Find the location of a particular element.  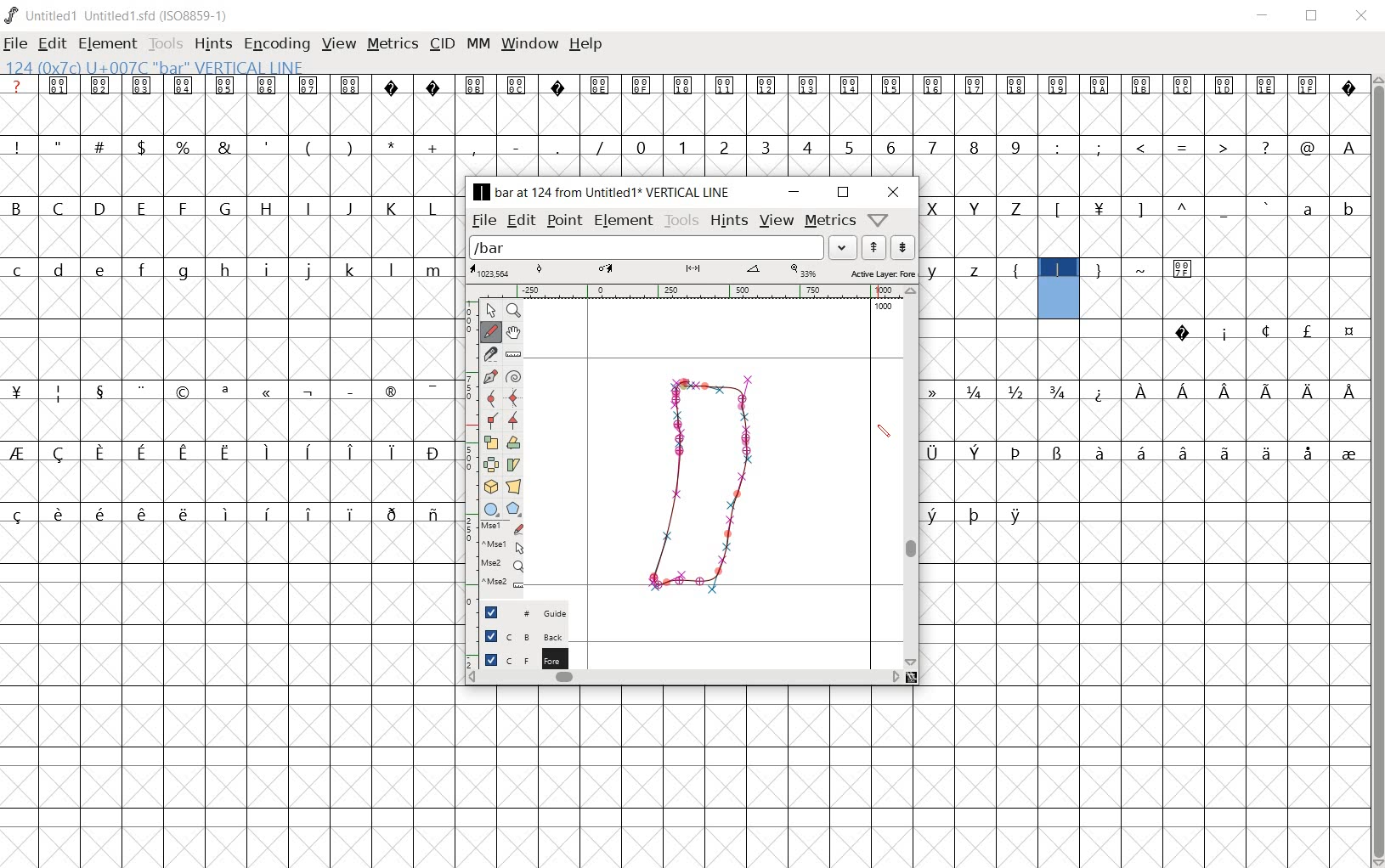

pointer is located at coordinates (489, 311).